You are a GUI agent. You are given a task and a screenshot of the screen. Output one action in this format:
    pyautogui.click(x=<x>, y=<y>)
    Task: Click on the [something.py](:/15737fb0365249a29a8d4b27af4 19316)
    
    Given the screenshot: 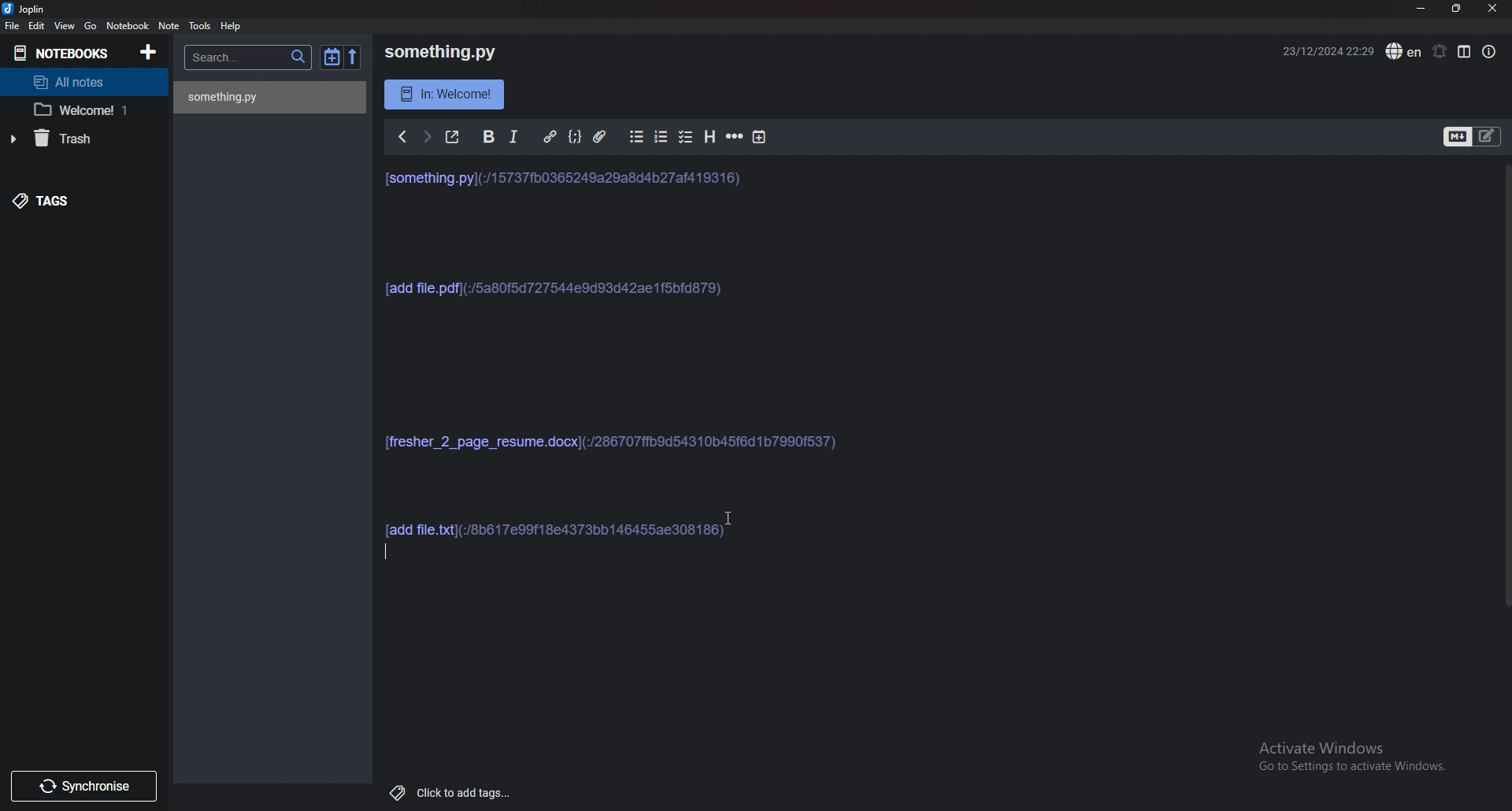 What is the action you would take?
    pyautogui.click(x=569, y=176)
    